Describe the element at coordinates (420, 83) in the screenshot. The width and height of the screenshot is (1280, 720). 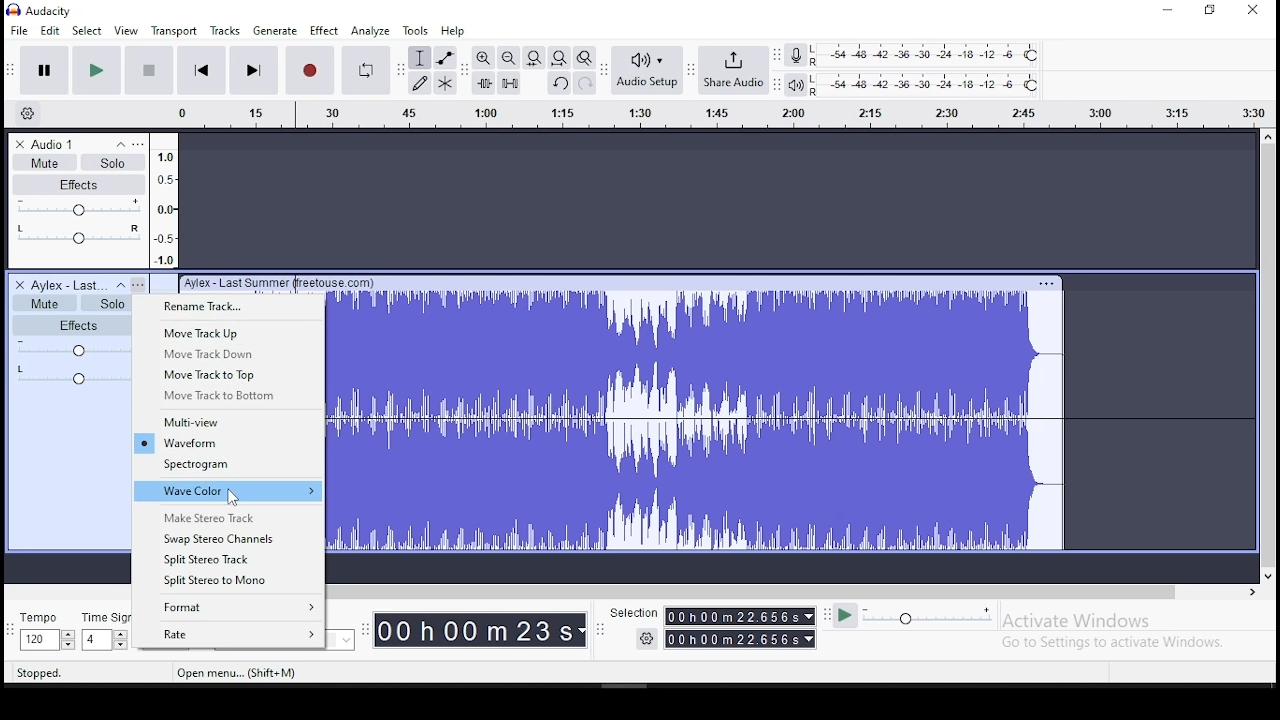
I see `draw tool` at that location.